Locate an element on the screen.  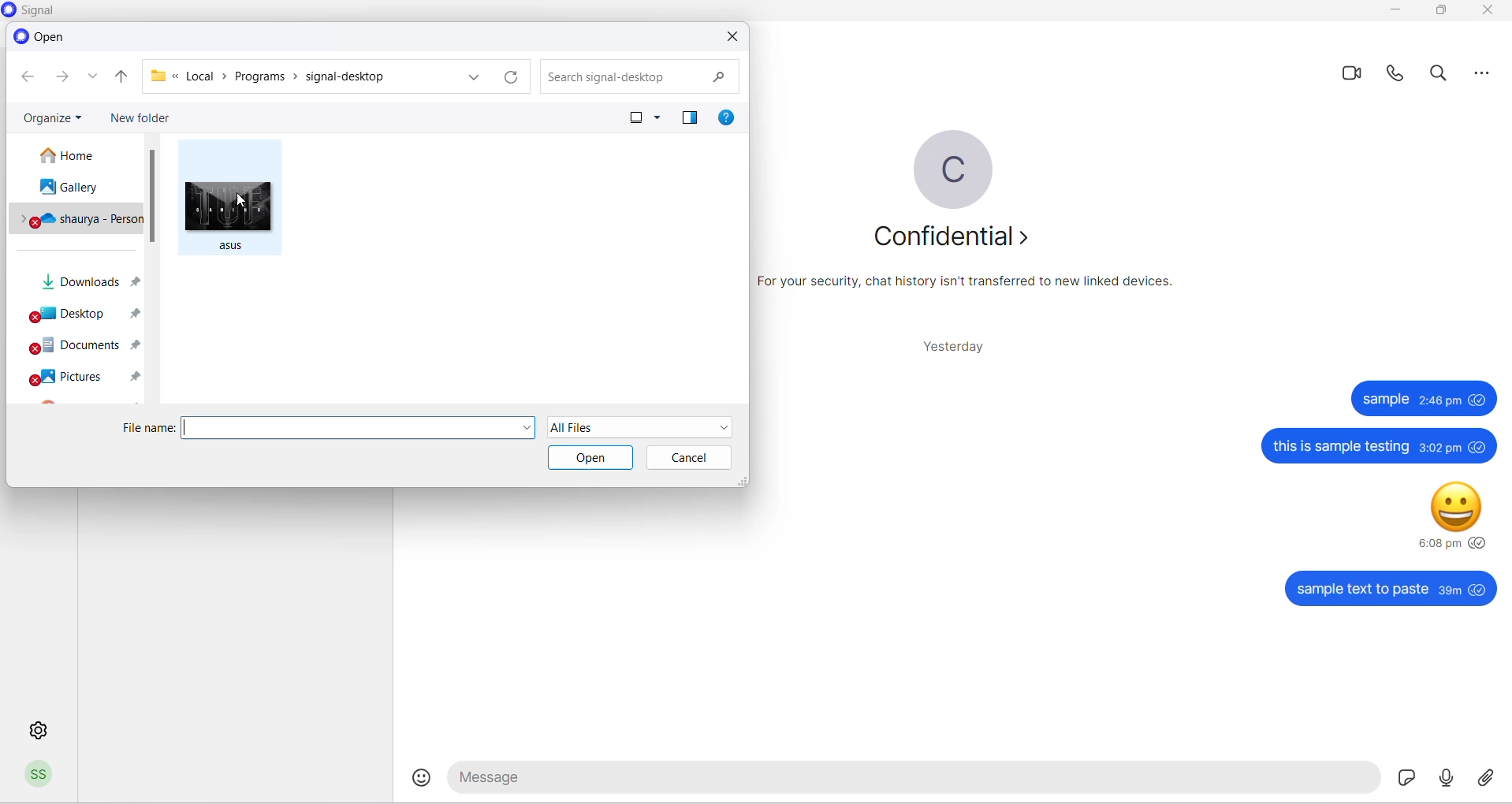
go back is located at coordinates (26, 77).